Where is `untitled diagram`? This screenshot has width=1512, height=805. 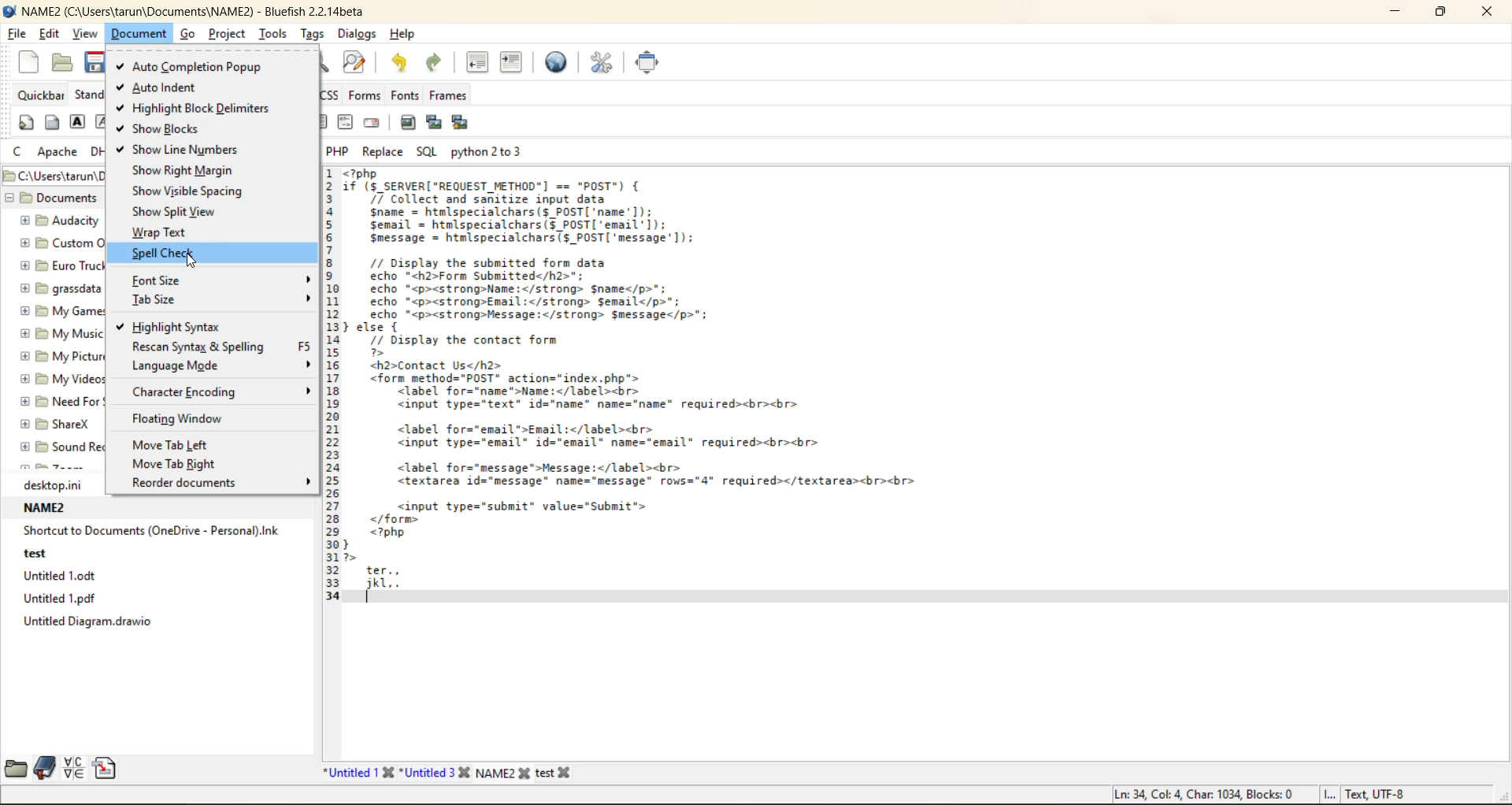 untitled diagram is located at coordinates (85, 621).